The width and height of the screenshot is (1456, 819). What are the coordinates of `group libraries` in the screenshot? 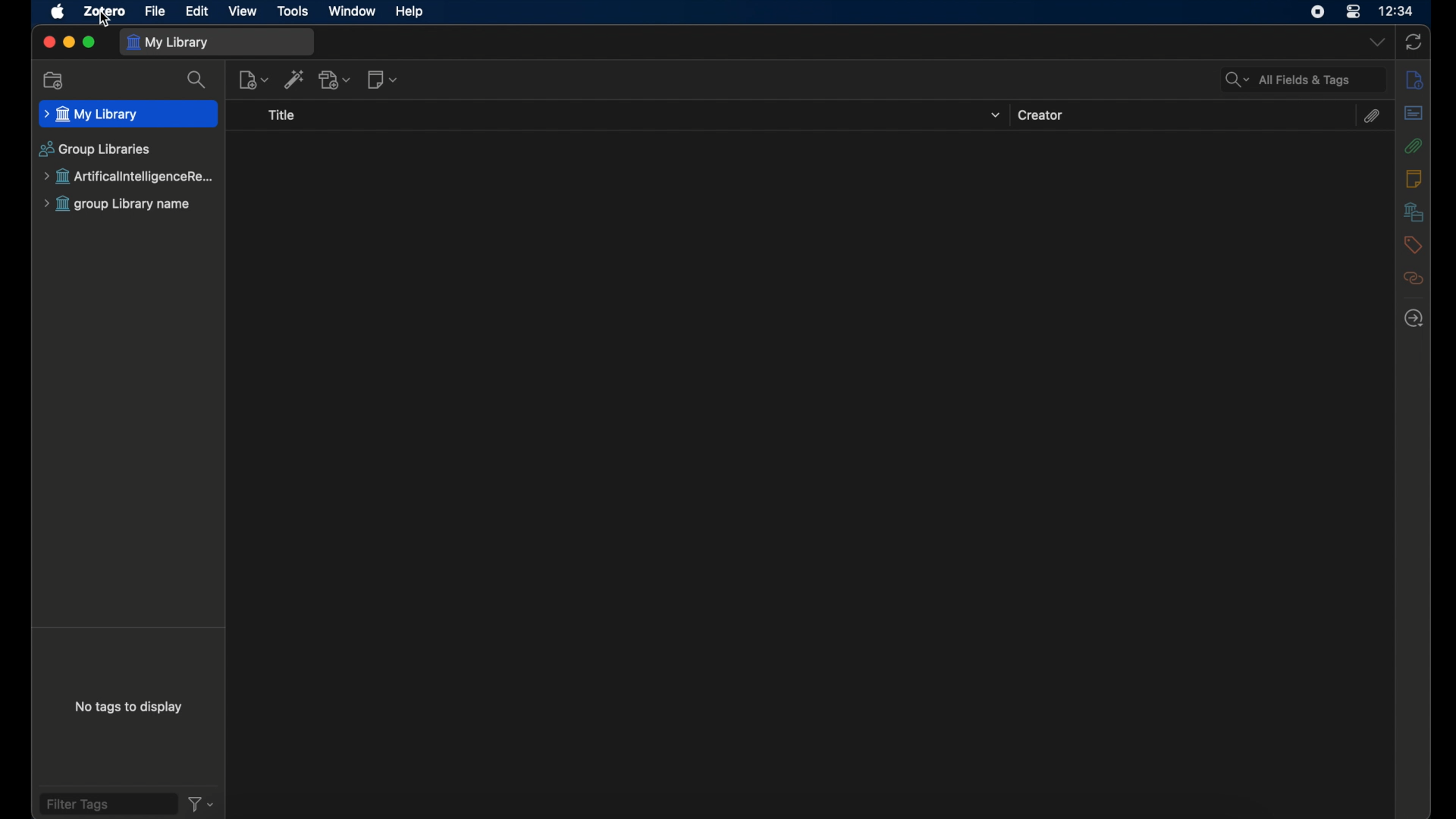 It's located at (95, 149).